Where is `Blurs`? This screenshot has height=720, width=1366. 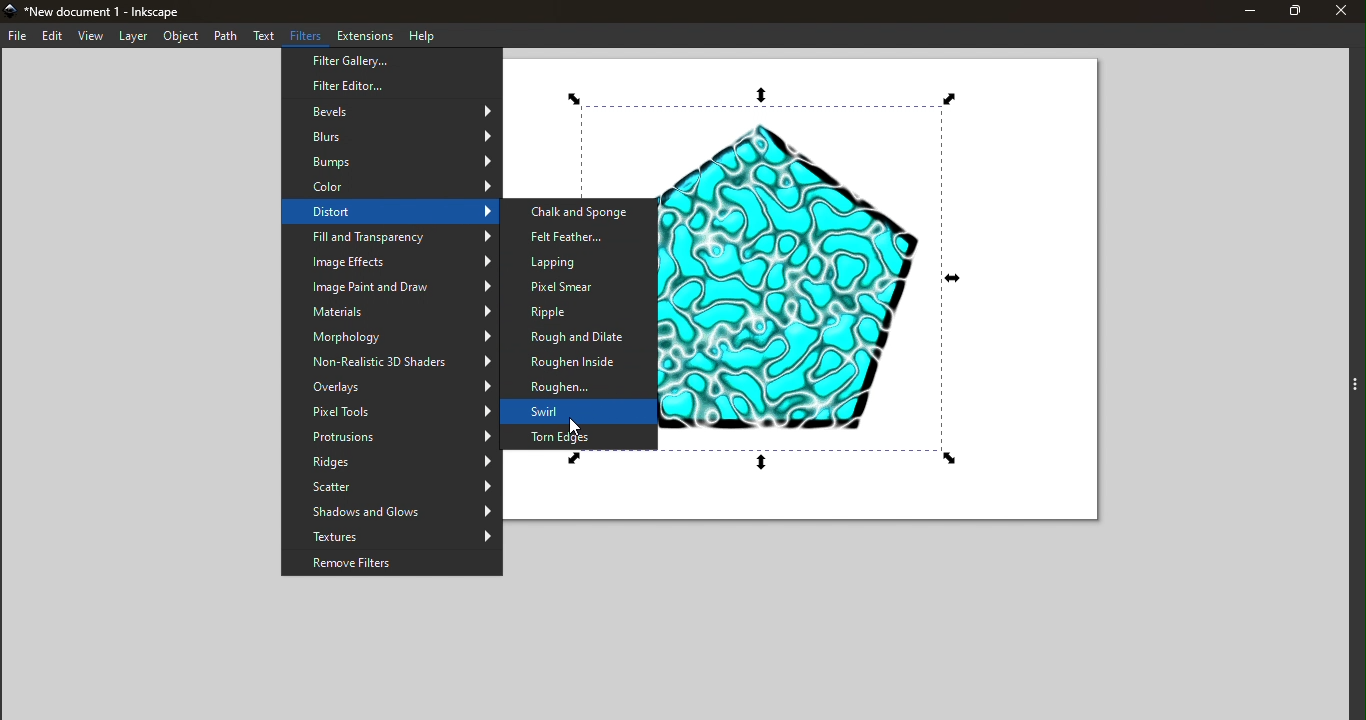
Blurs is located at coordinates (391, 137).